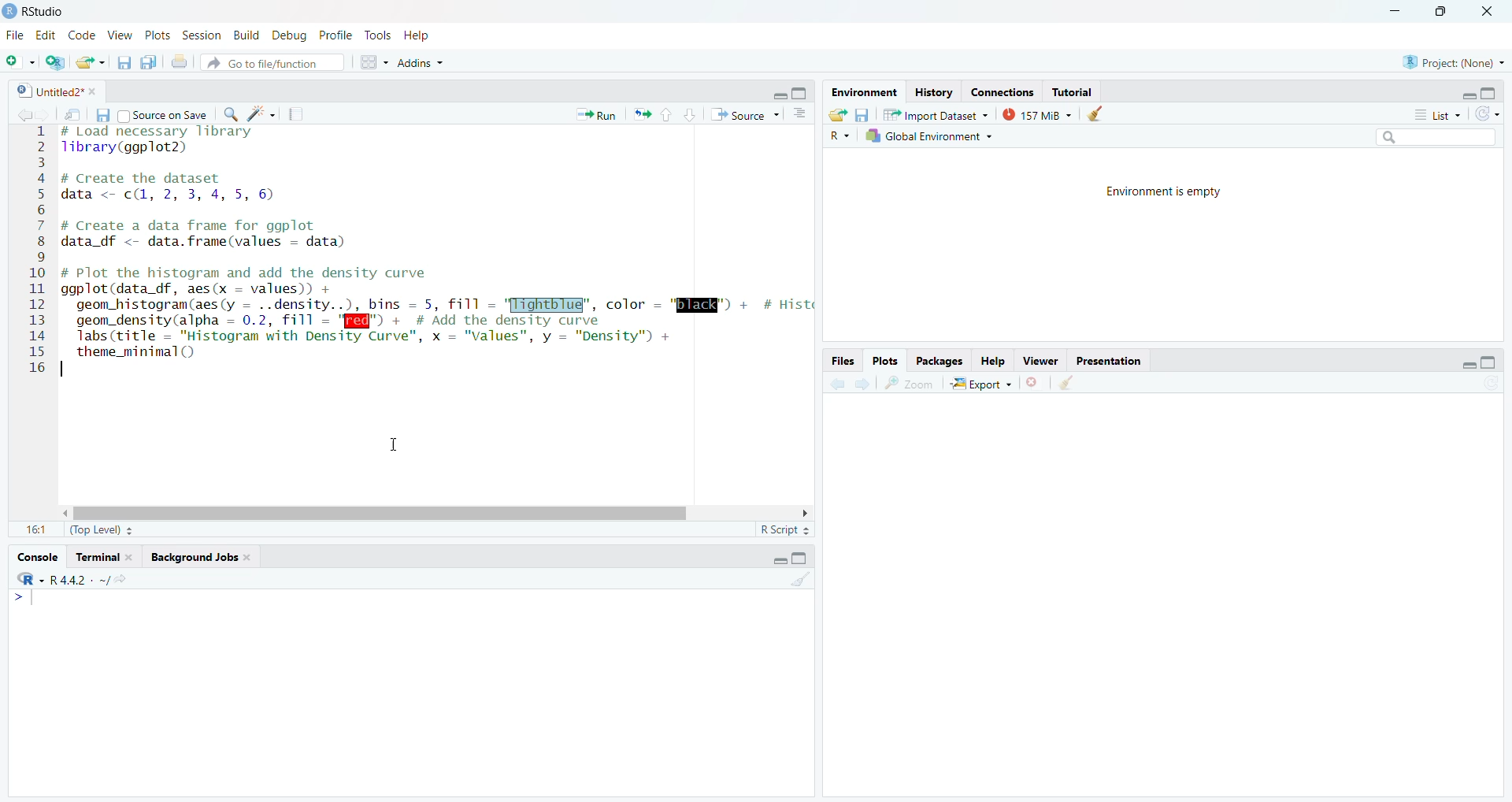  What do you see at coordinates (1034, 383) in the screenshot?
I see `remove the current plot` at bounding box center [1034, 383].